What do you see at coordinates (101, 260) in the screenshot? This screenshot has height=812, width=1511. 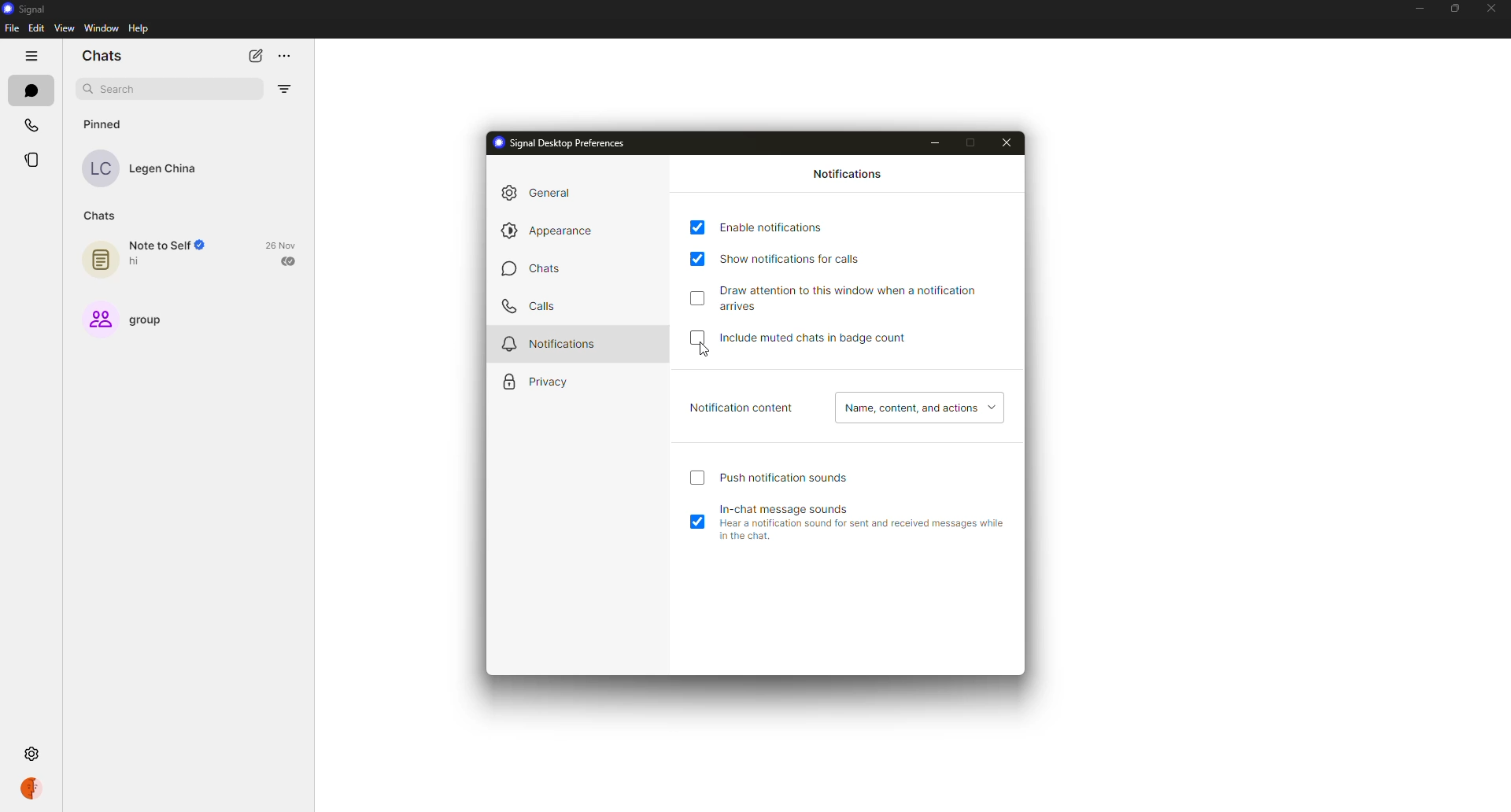 I see `Chat Icon` at bounding box center [101, 260].